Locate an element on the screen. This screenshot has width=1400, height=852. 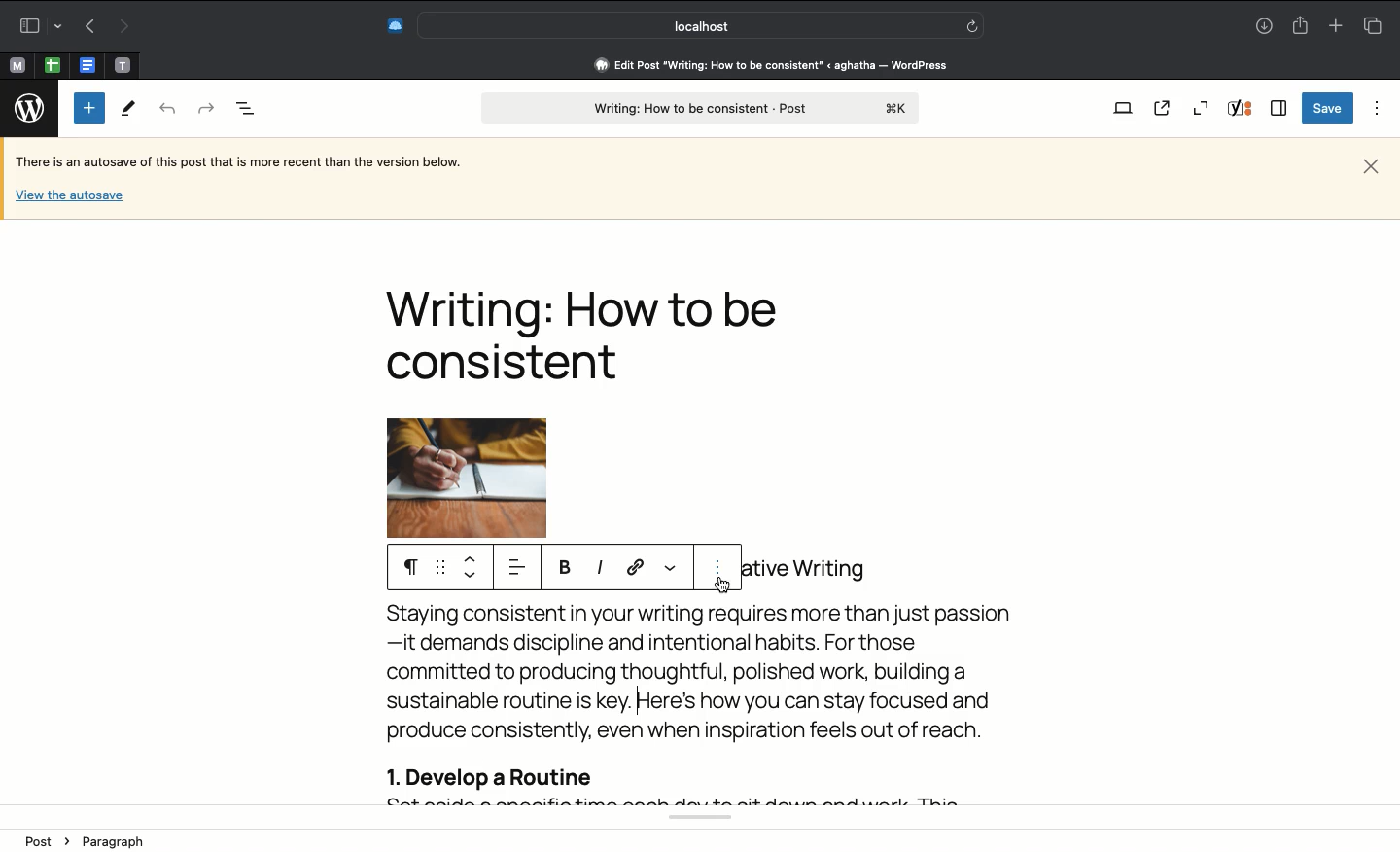
Sidebar is located at coordinates (38, 23).